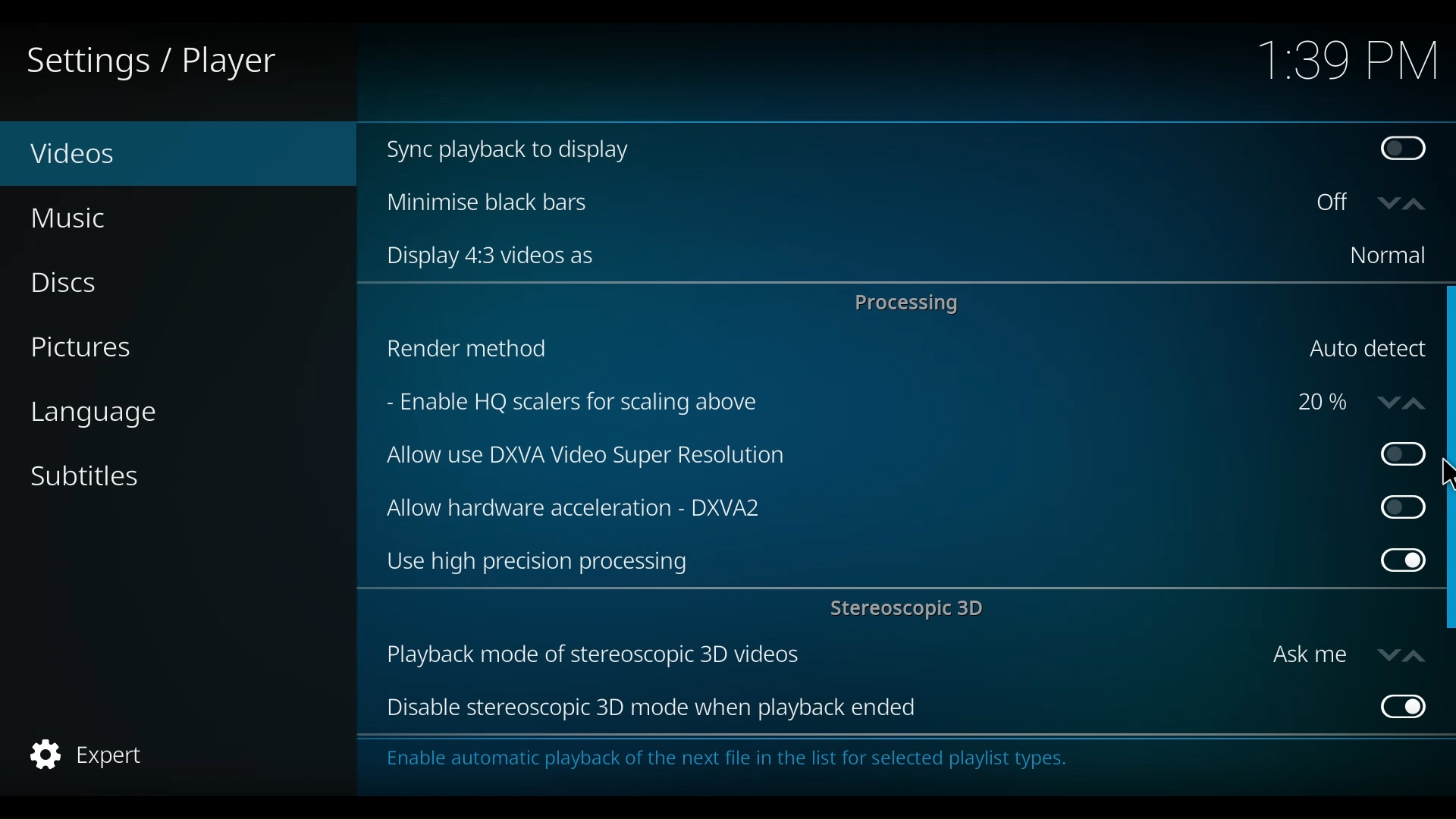 This screenshot has width=1456, height=819. Describe the element at coordinates (871, 709) in the screenshot. I see `Disable stereoscopic 3D mode when playback ended` at that location.